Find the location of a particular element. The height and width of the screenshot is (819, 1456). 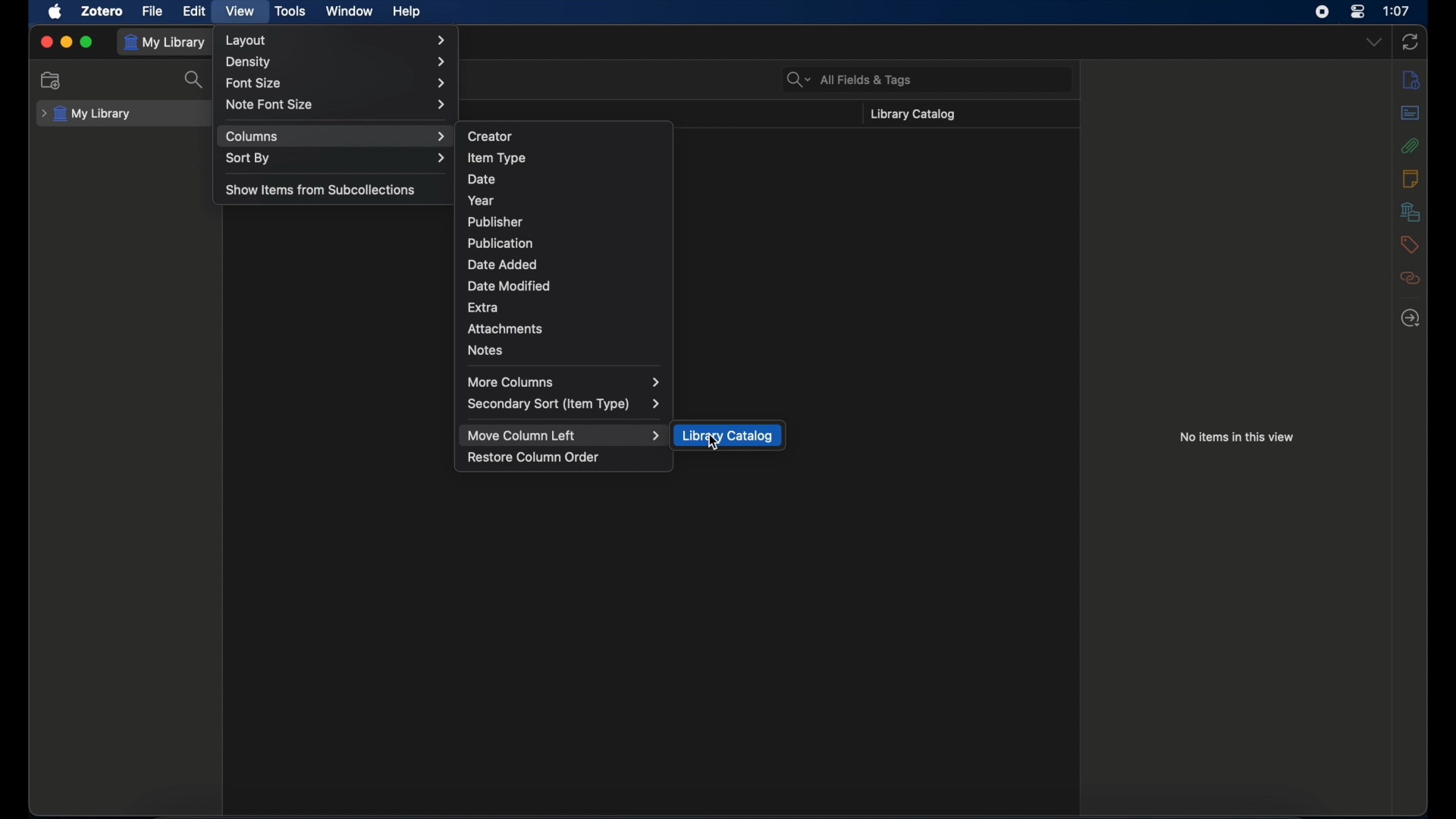

font size is located at coordinates (336, 84).